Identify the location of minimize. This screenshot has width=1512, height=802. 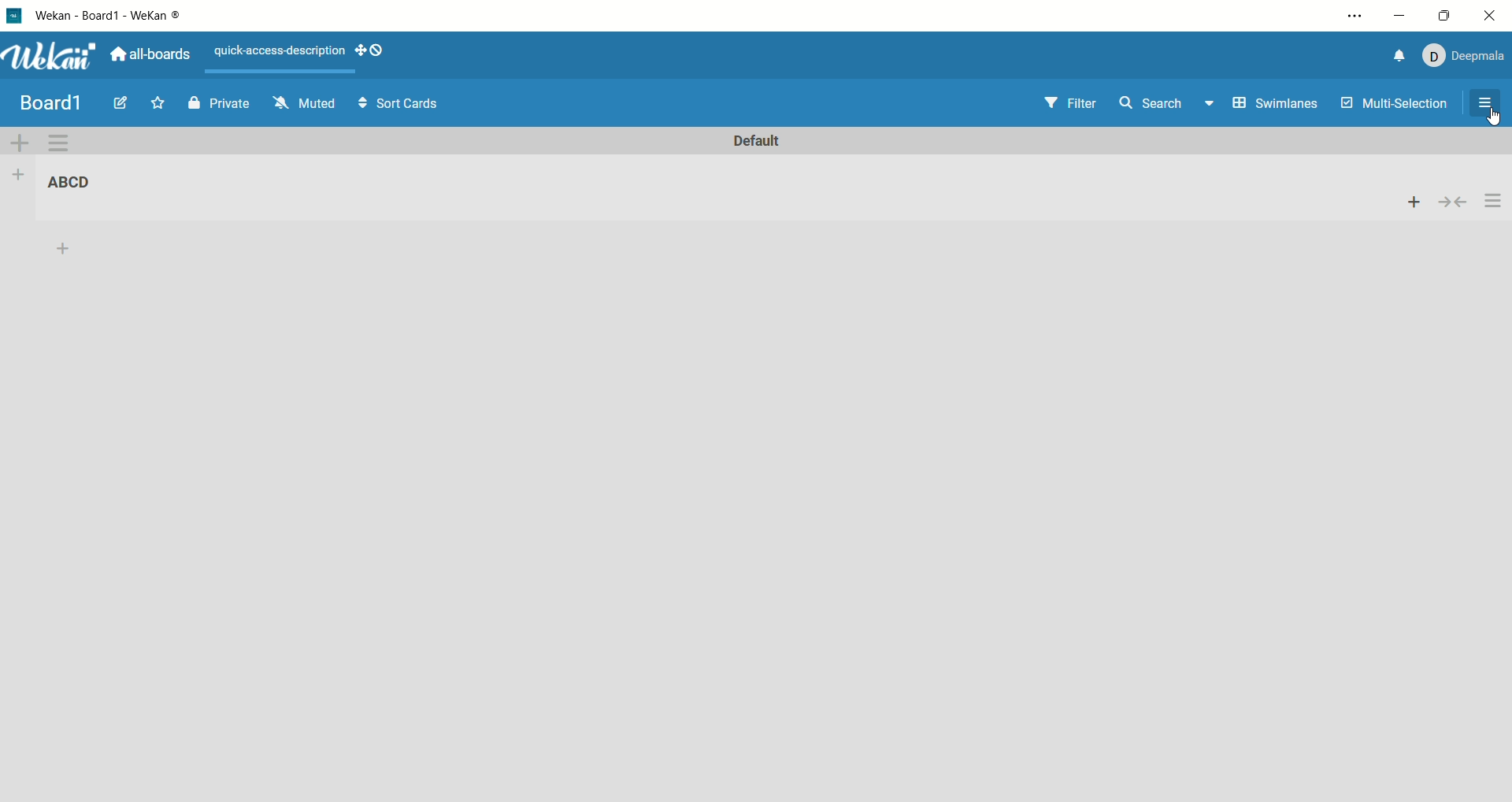
(1398, 14).